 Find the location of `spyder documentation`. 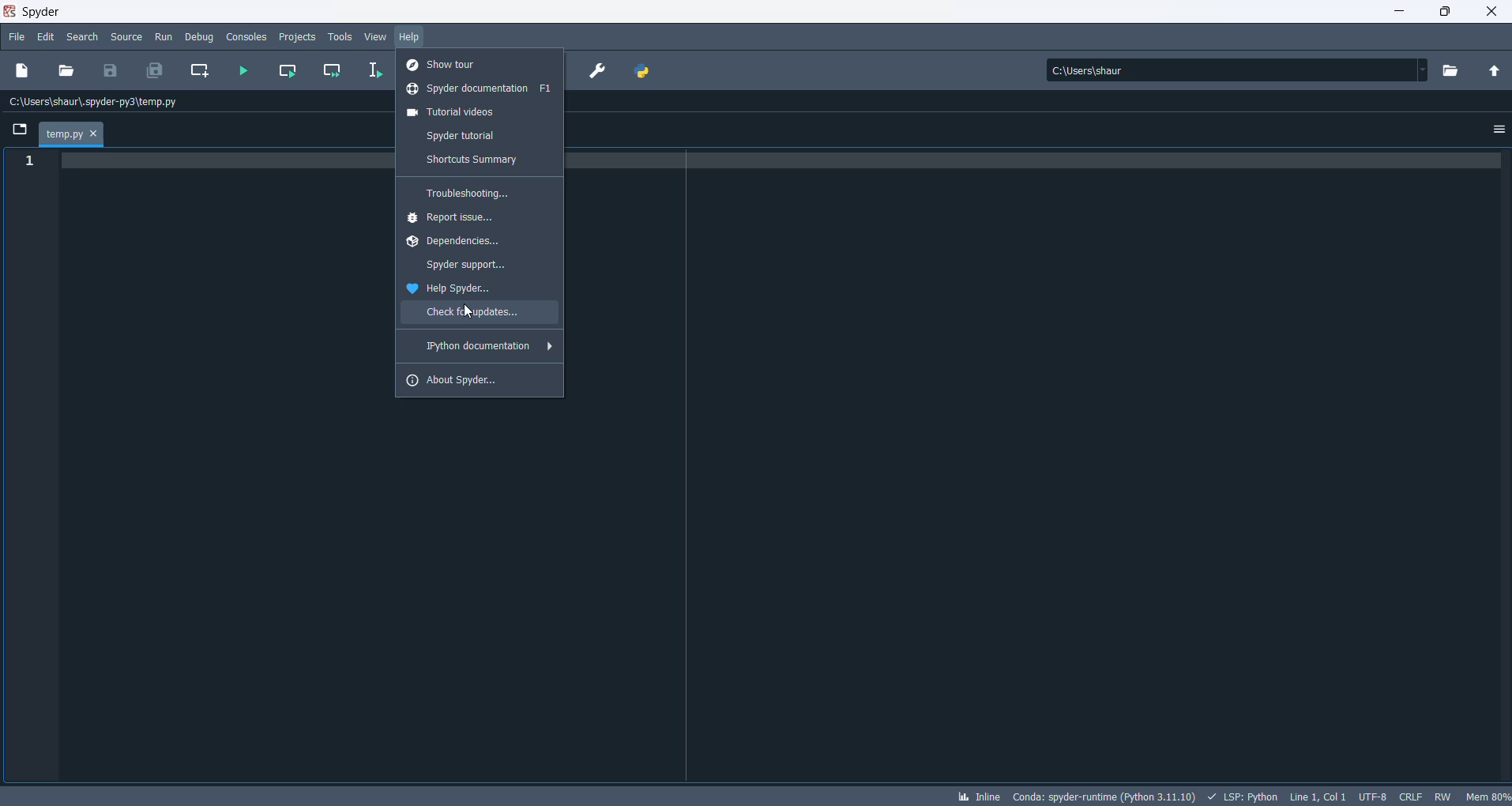

spyder documentation is located at coordinates (482, 90).